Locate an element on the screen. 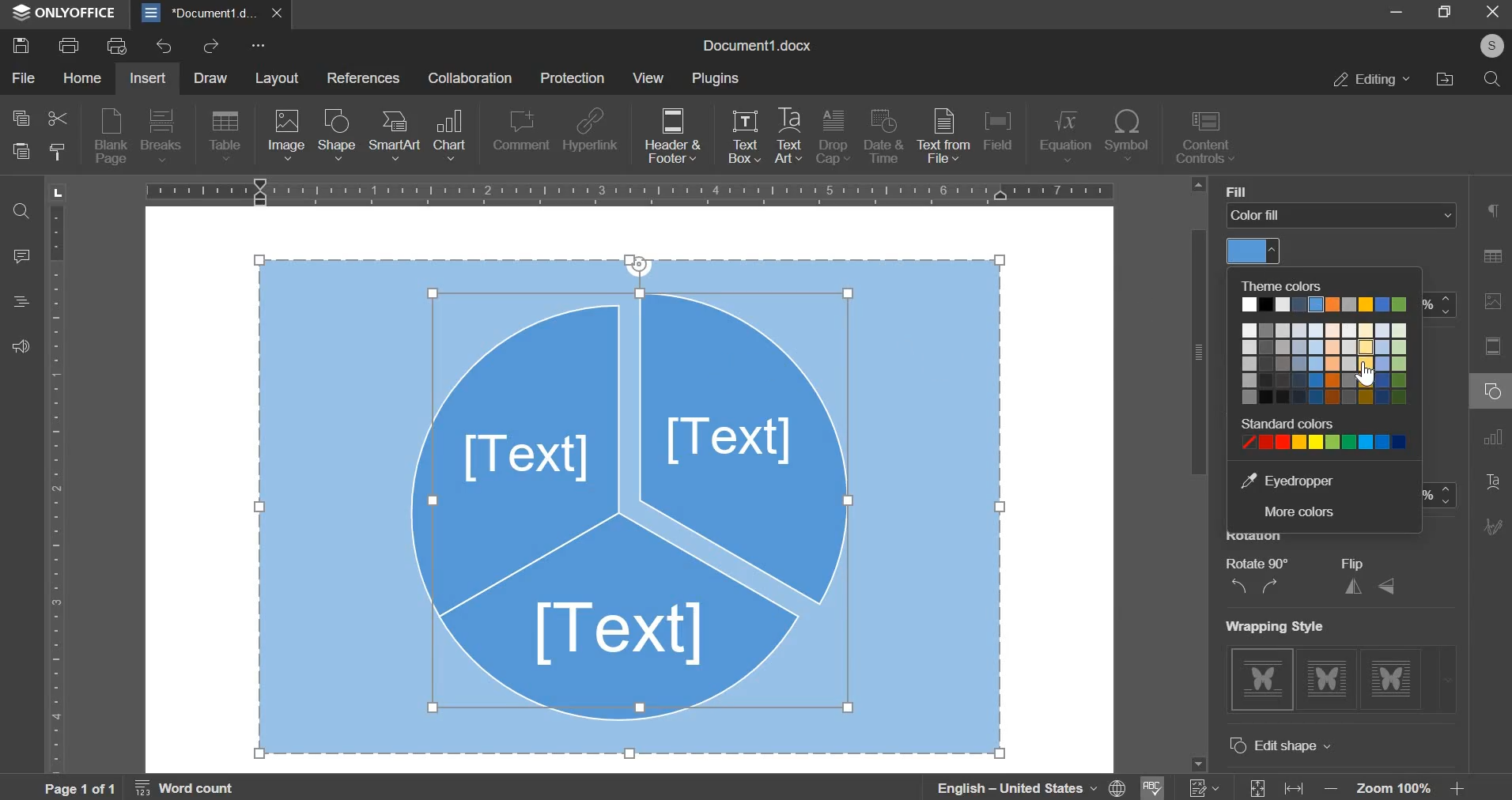 Image resolution: width=1512 pixels, height=800 pixels. vertical scale is located at coordinates (57, 483).